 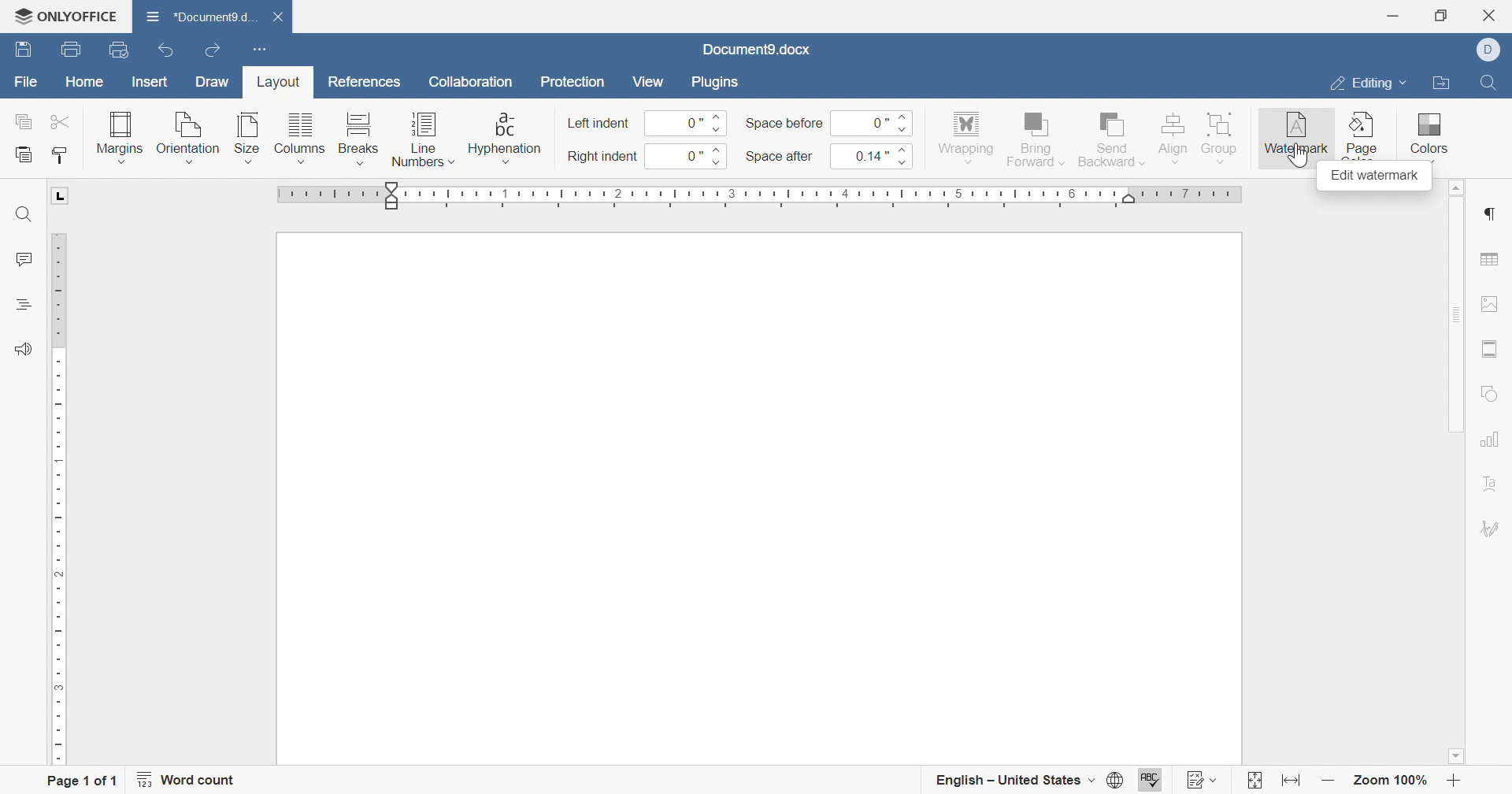 I want to click on ONLYOFFICE, so click(x=65, y=13).